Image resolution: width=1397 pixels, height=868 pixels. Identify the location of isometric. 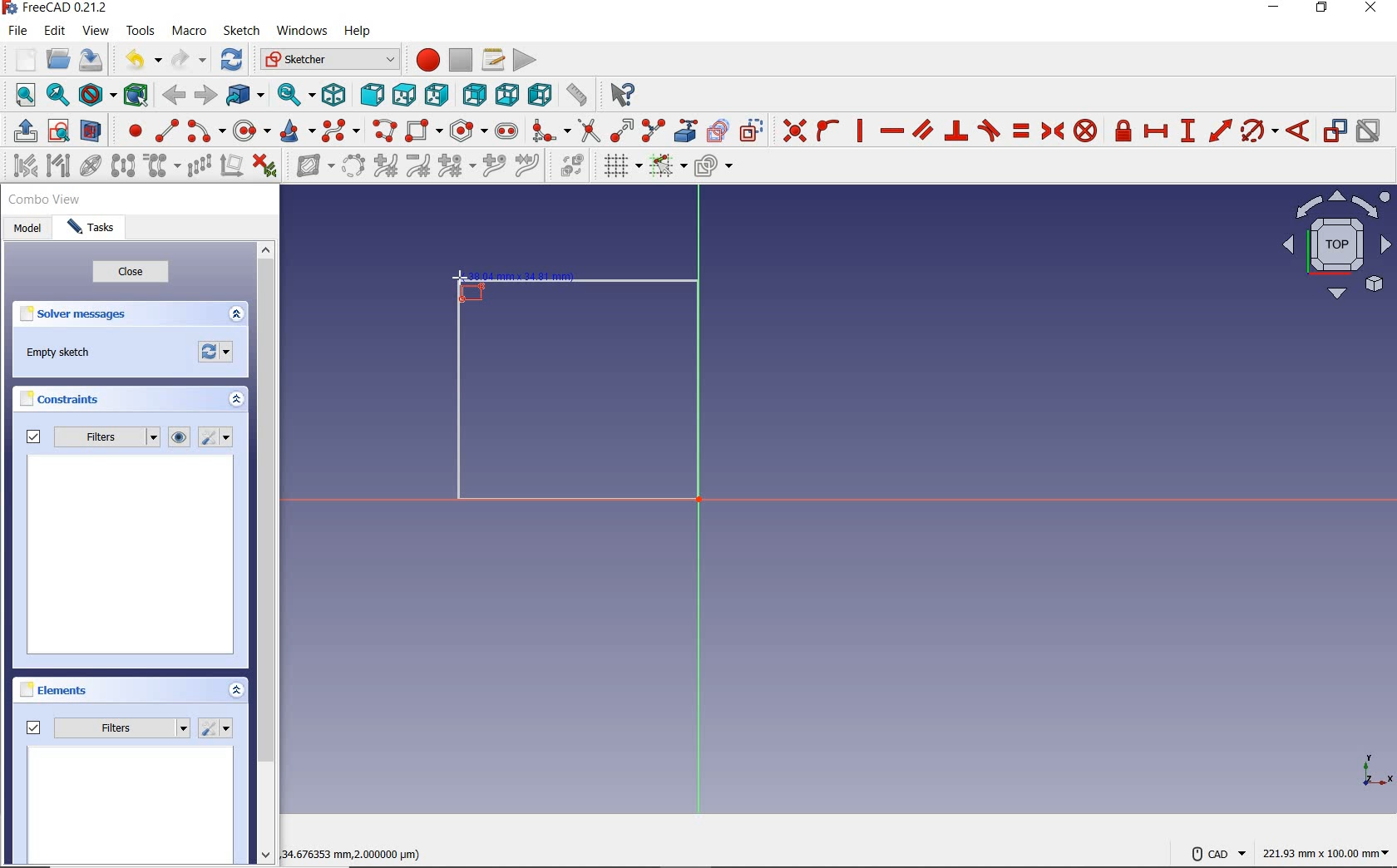
(333, 95).